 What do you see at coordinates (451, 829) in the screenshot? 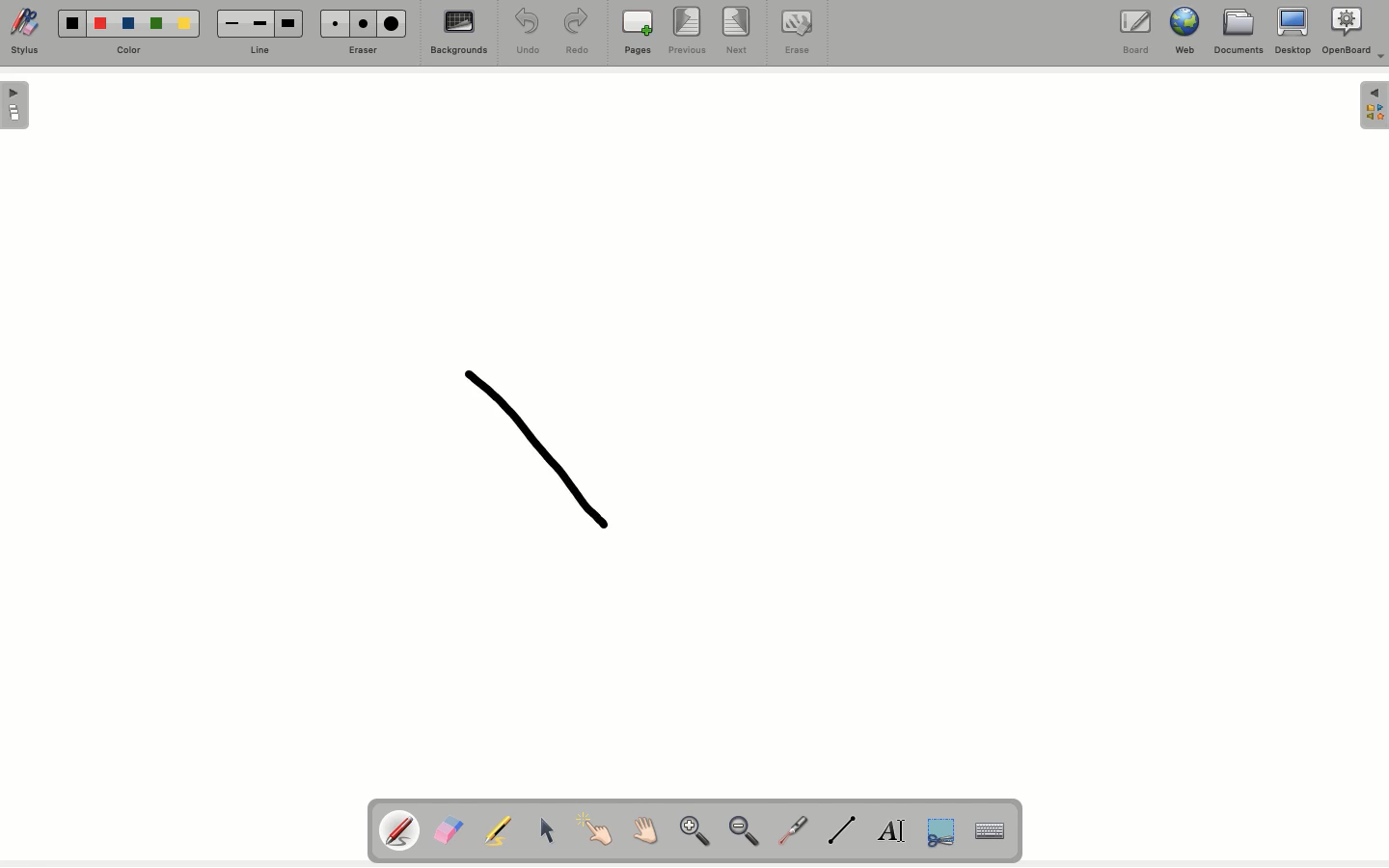
I see `Eraser` at bounding box center [451, 829].